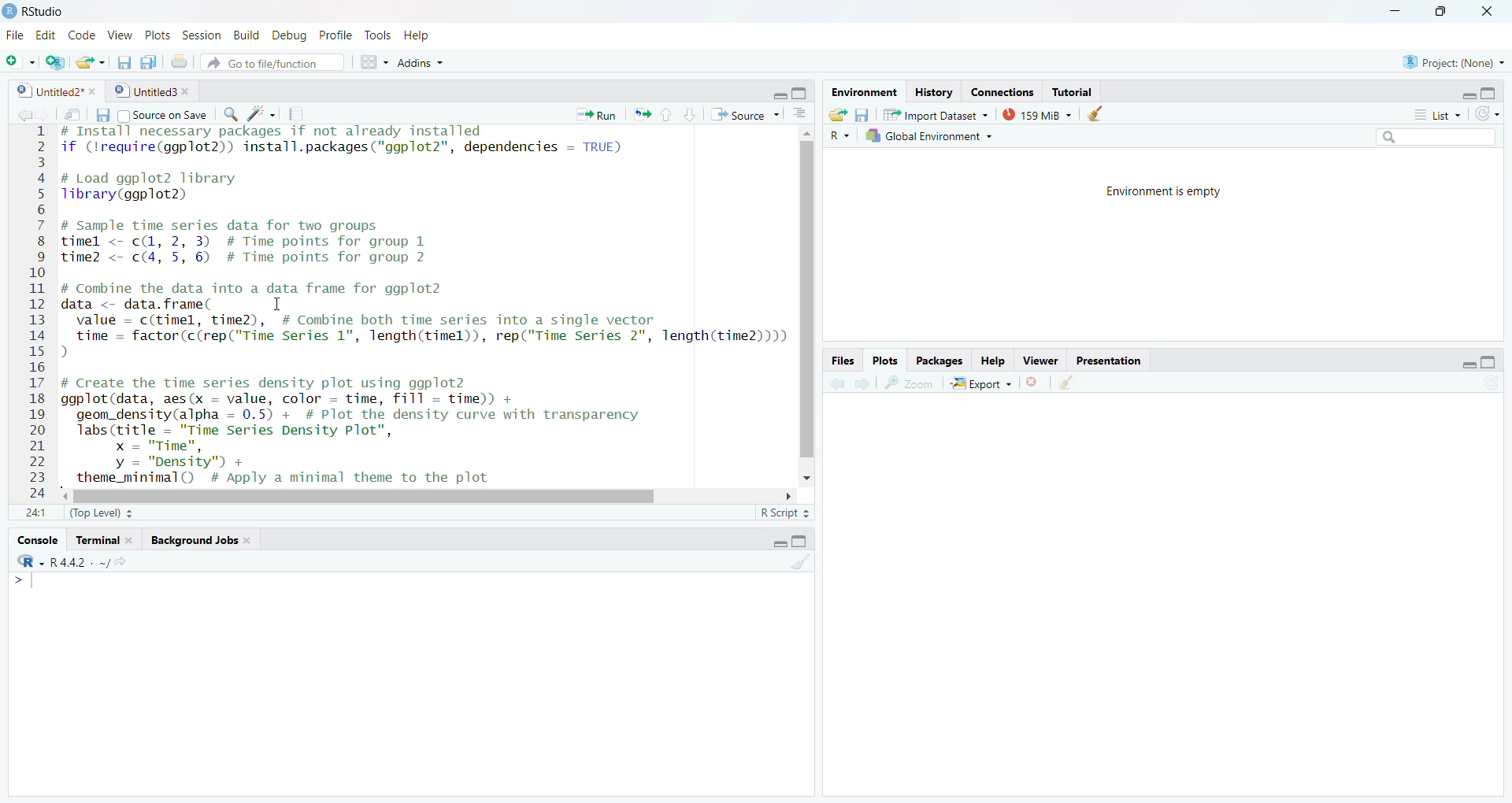  I want to click on # Create the time series density plot using ggplot2
ggplot(data, aes(x = value, color = time, fill = time)) +
geom_density(alpha = 0.5) + # Plot the density curve with transparency
labs (title = "Time Series Density Plot",
x = "Time",
y - "Density" +
~~ theme_minimal() # Apply a minimal theme to the plot, so click(382, 431).